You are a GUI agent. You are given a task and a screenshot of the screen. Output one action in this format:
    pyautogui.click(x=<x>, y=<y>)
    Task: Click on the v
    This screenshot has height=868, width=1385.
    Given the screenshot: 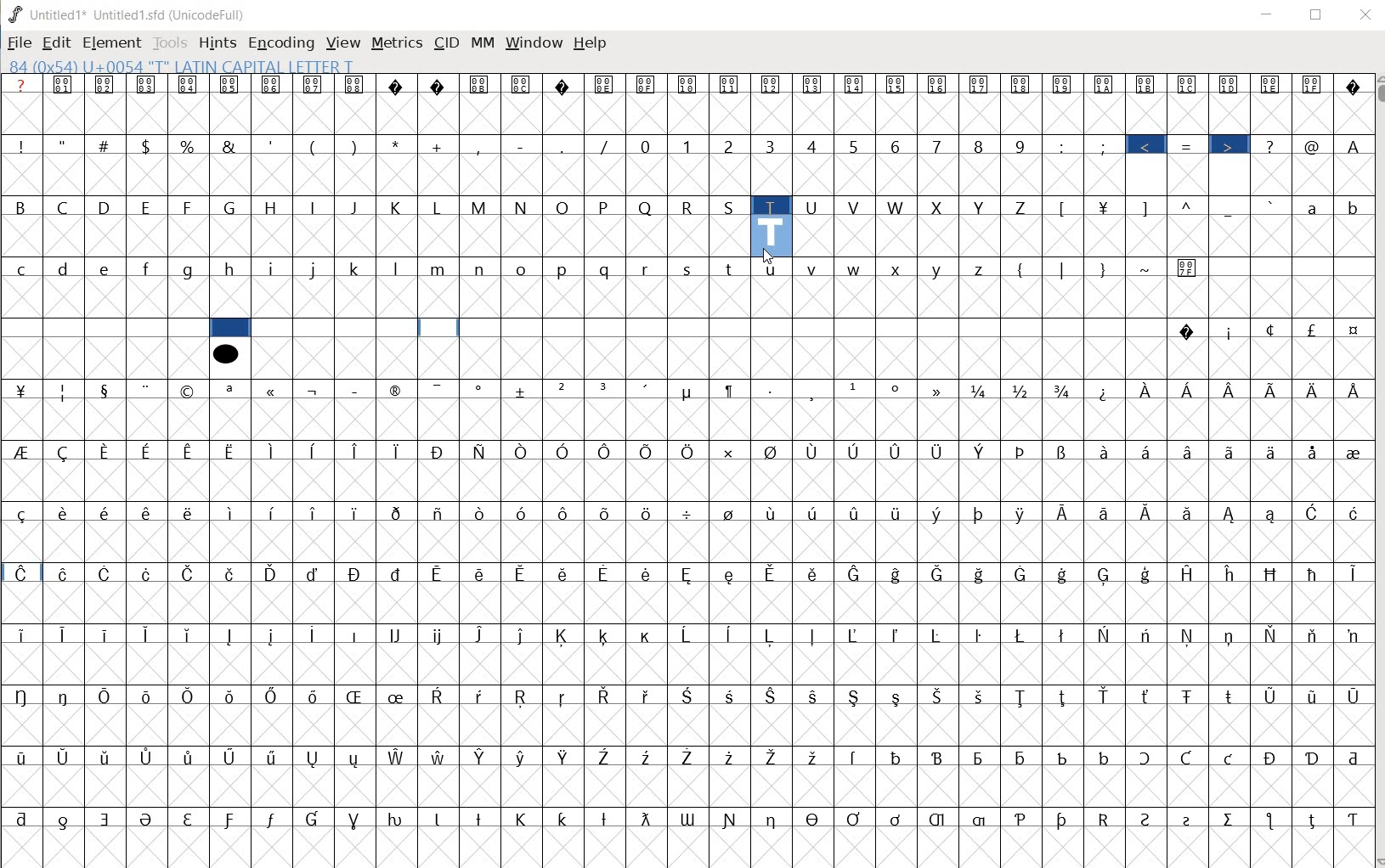 What is the action you would take?
    pyautogui.click(x=813, y=268)
    